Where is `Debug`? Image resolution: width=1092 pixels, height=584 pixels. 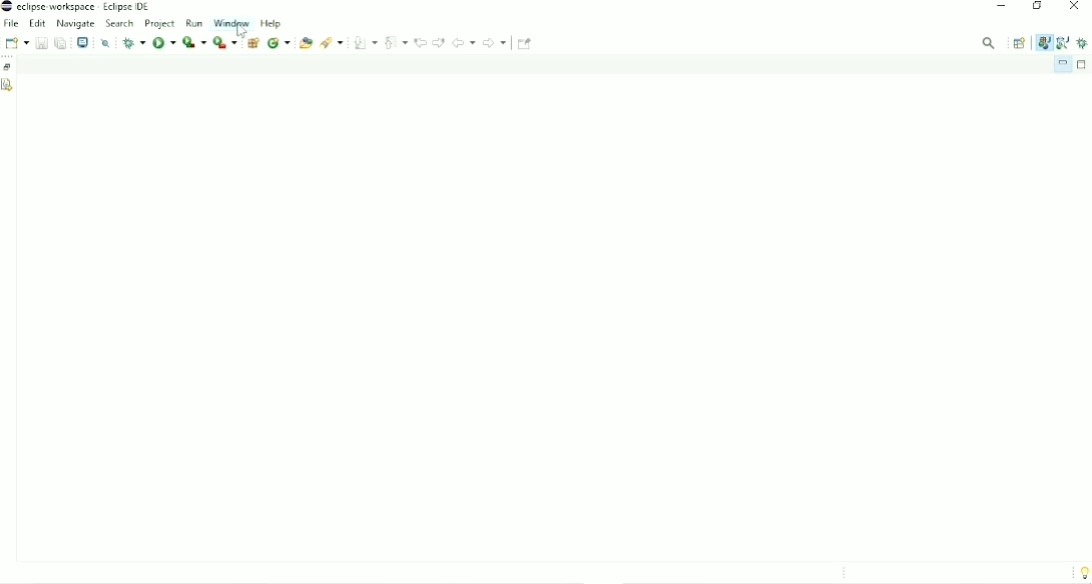 Debug is located at coordinates (1083, 42).